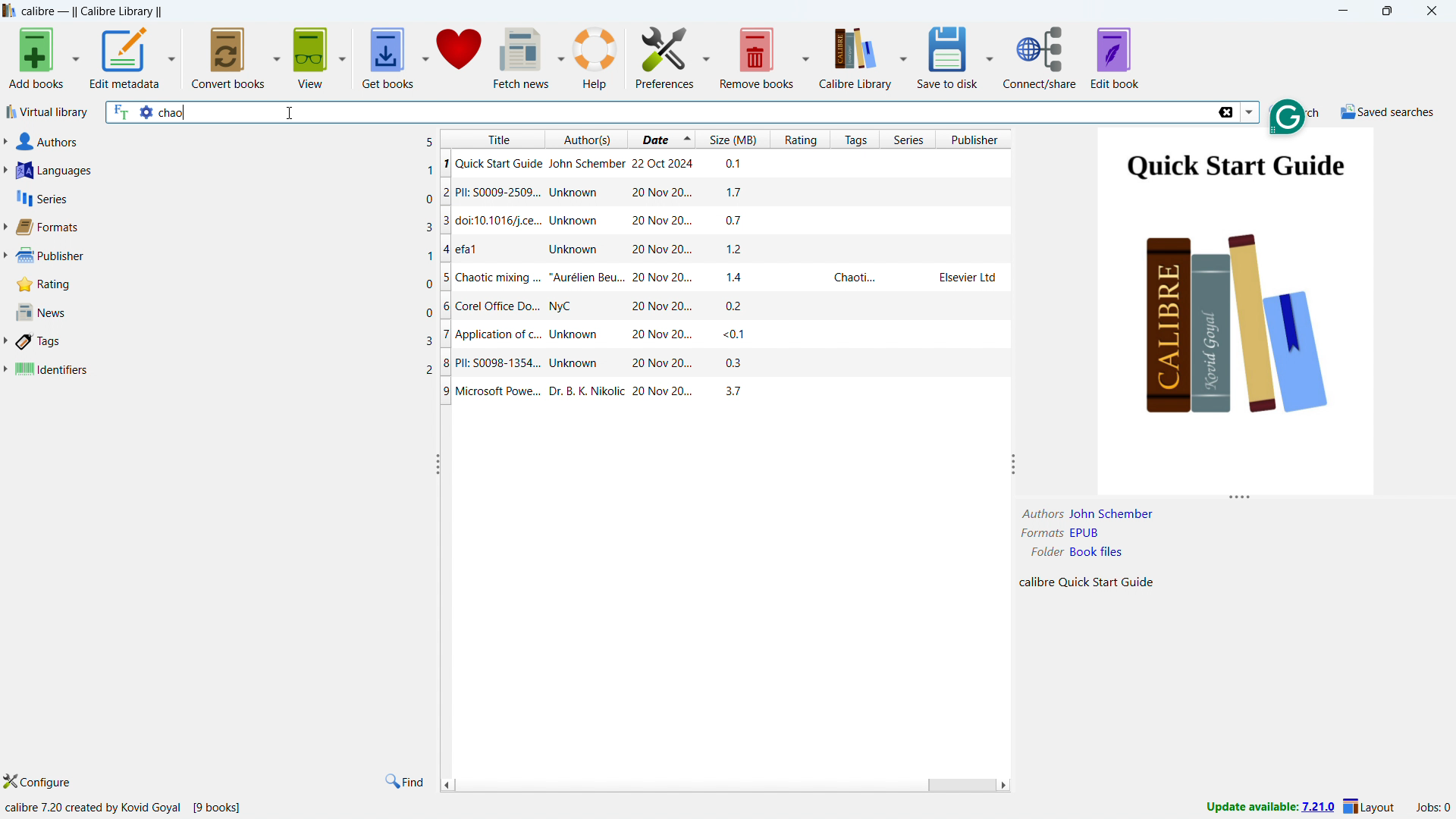 This screenshot has width=1456, height=819. What do you see at coordinates (726, 306) in the screenshot?
I see `Corel Office Do..` at bounding box center [726, 306].